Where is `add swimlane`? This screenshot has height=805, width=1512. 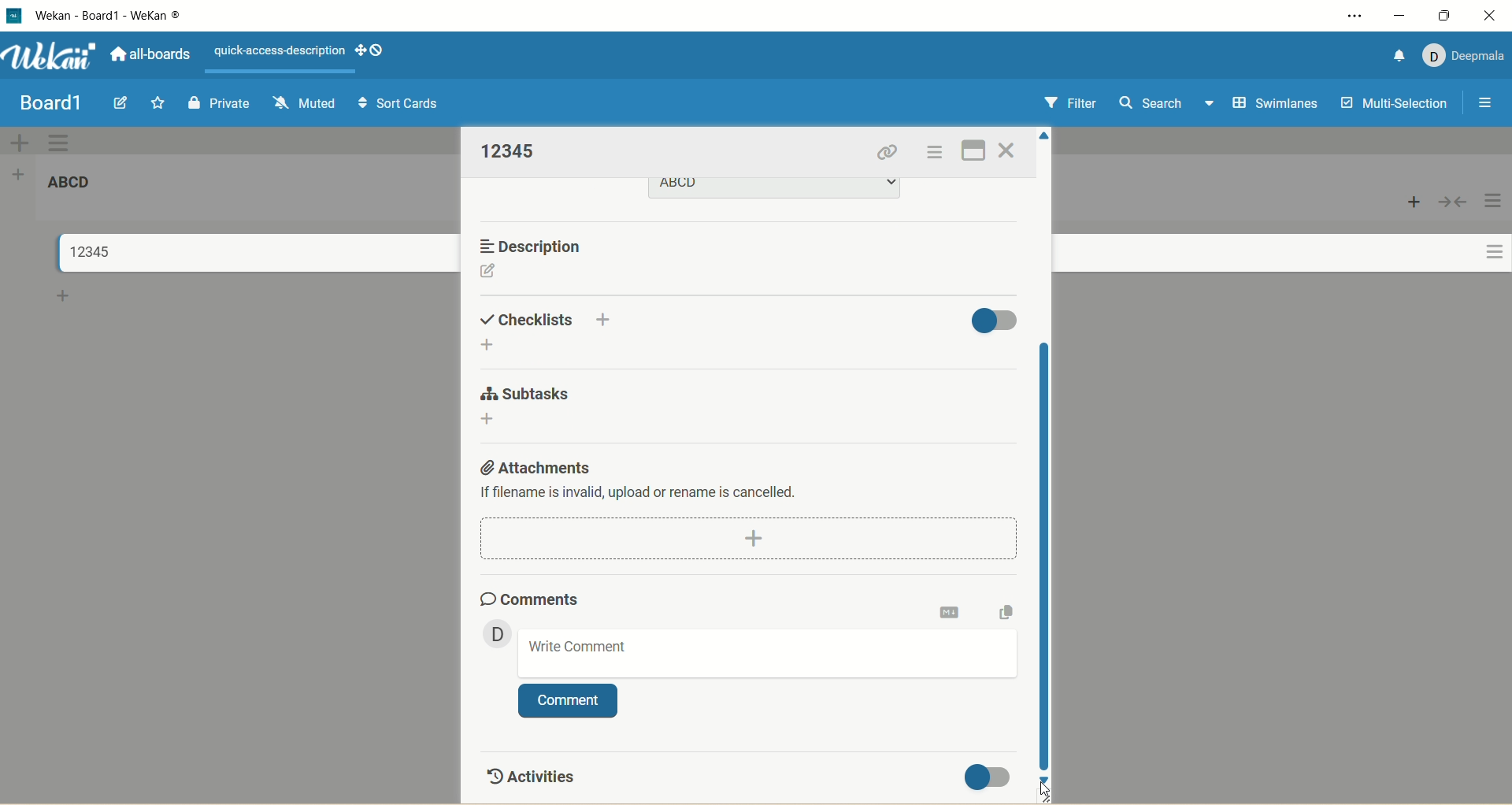
add swimlane is located at coordinates (17, 142).